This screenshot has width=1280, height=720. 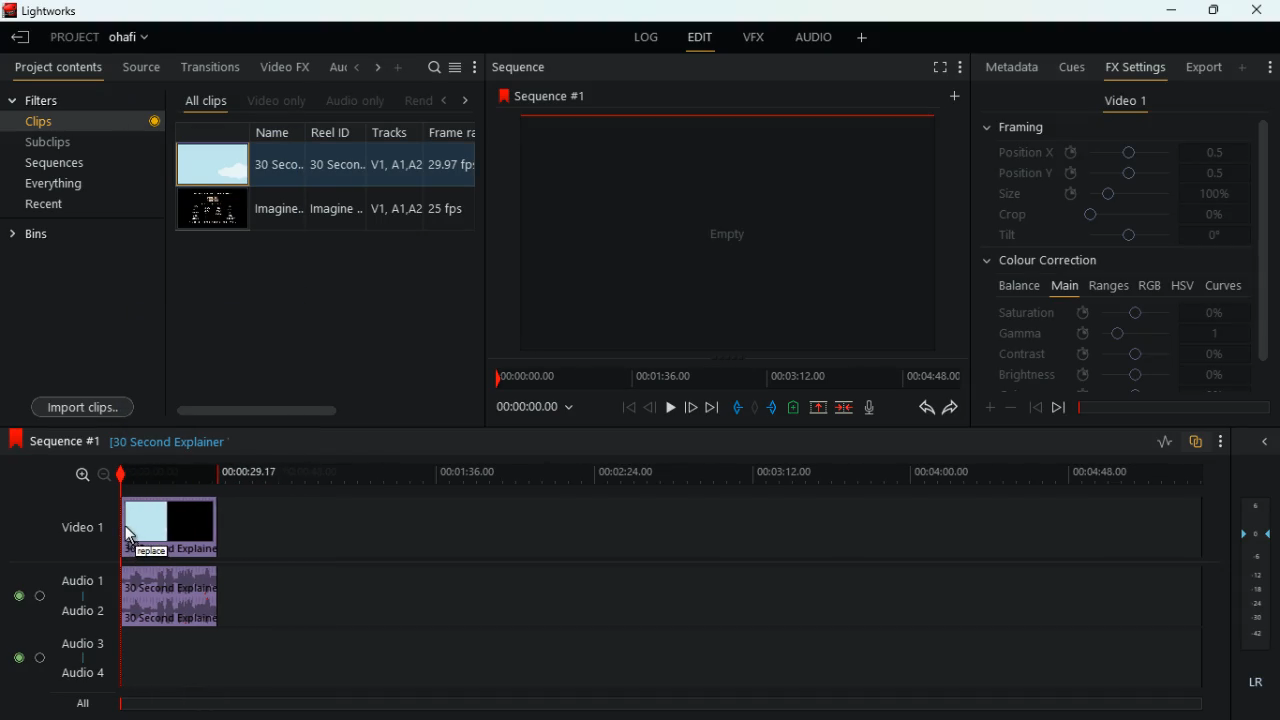 I want to click on menu, so click(x=455, y=67).